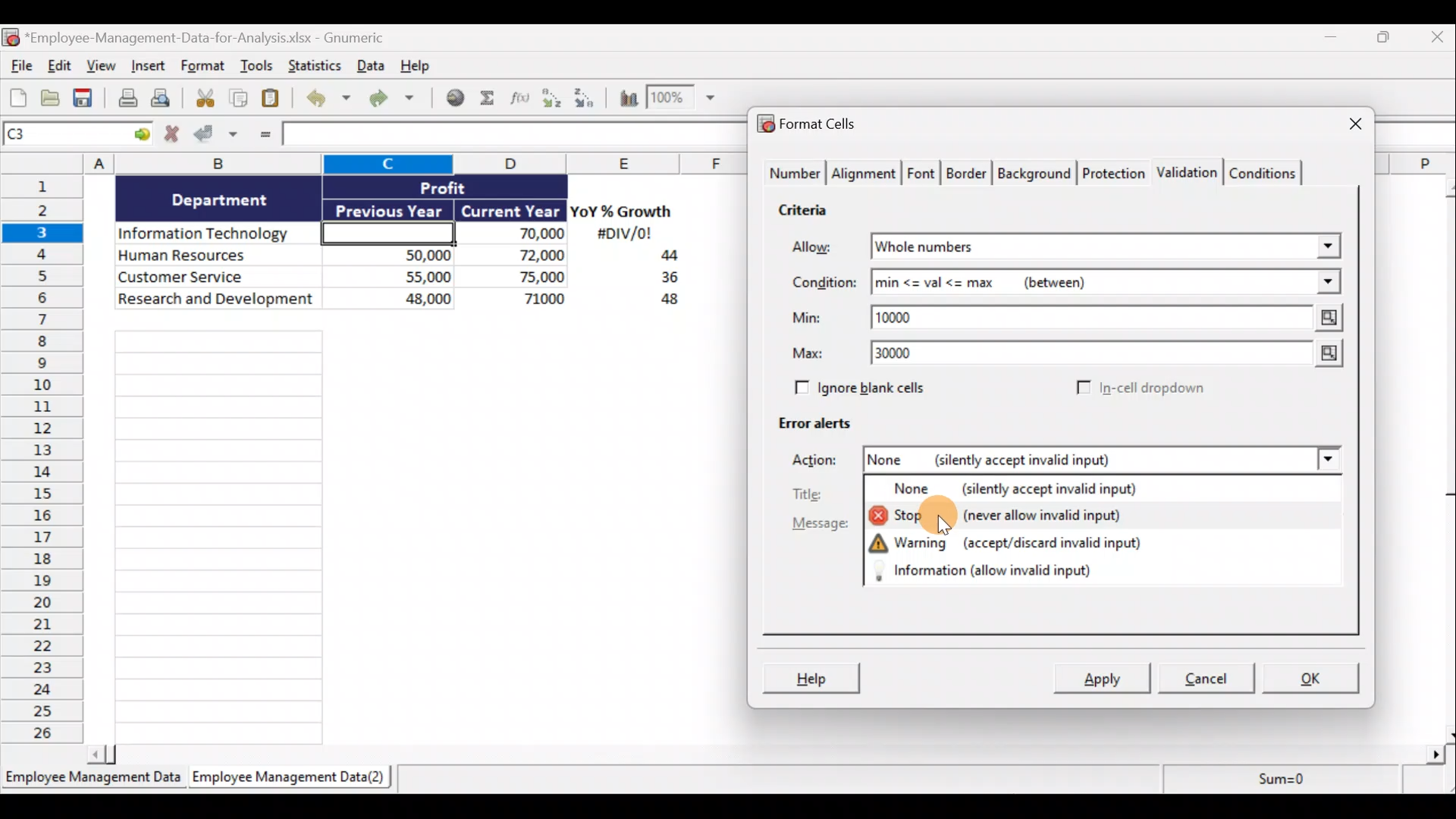  Describe the element at coordinates (64, 136) in the screenshot. I see `Cell name C1` at that location.